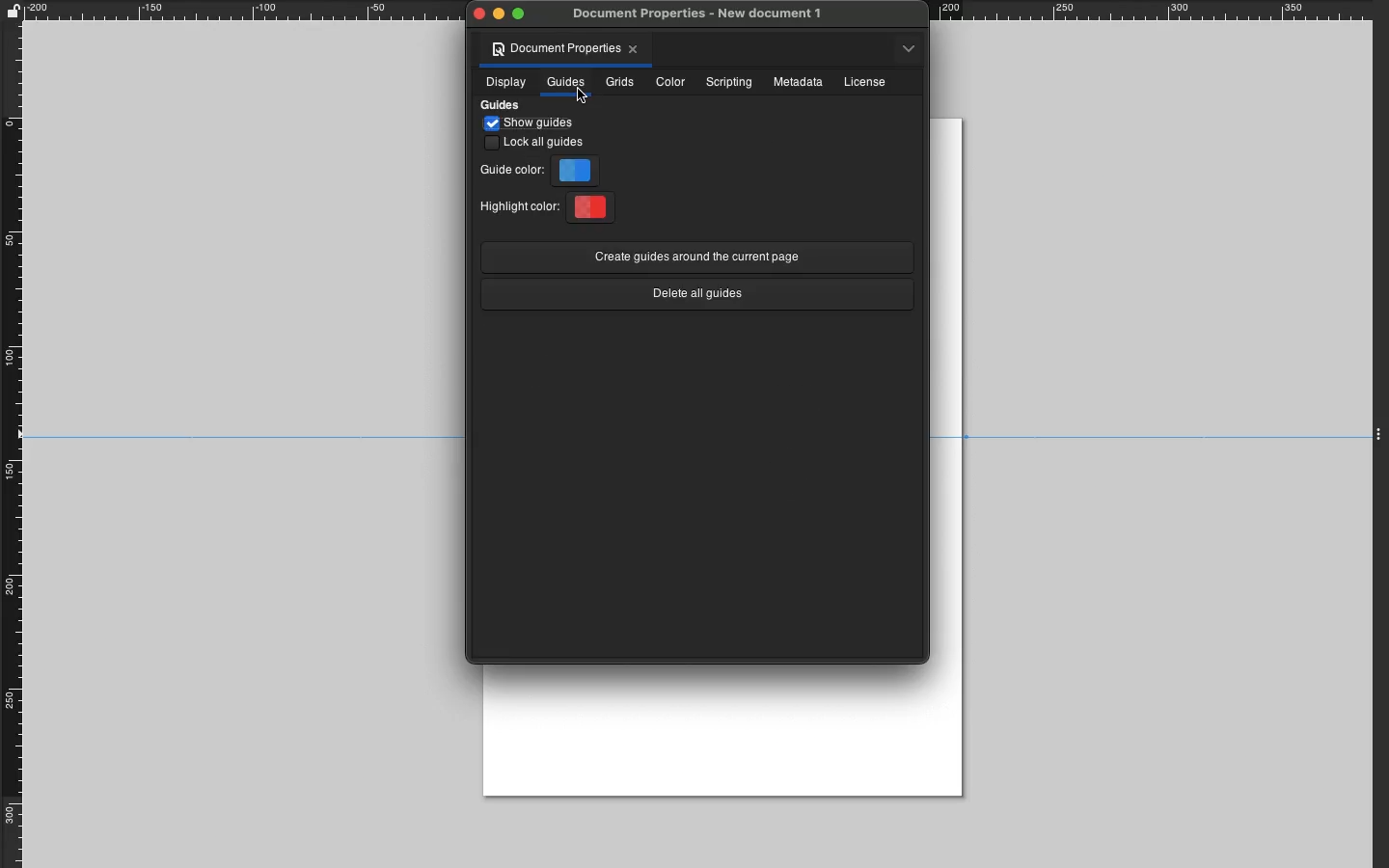 This screenshot has width=1389, height=868. Describe the element at coordinates (517, 204) in the screenshot. I see `Highlight color` at that location.